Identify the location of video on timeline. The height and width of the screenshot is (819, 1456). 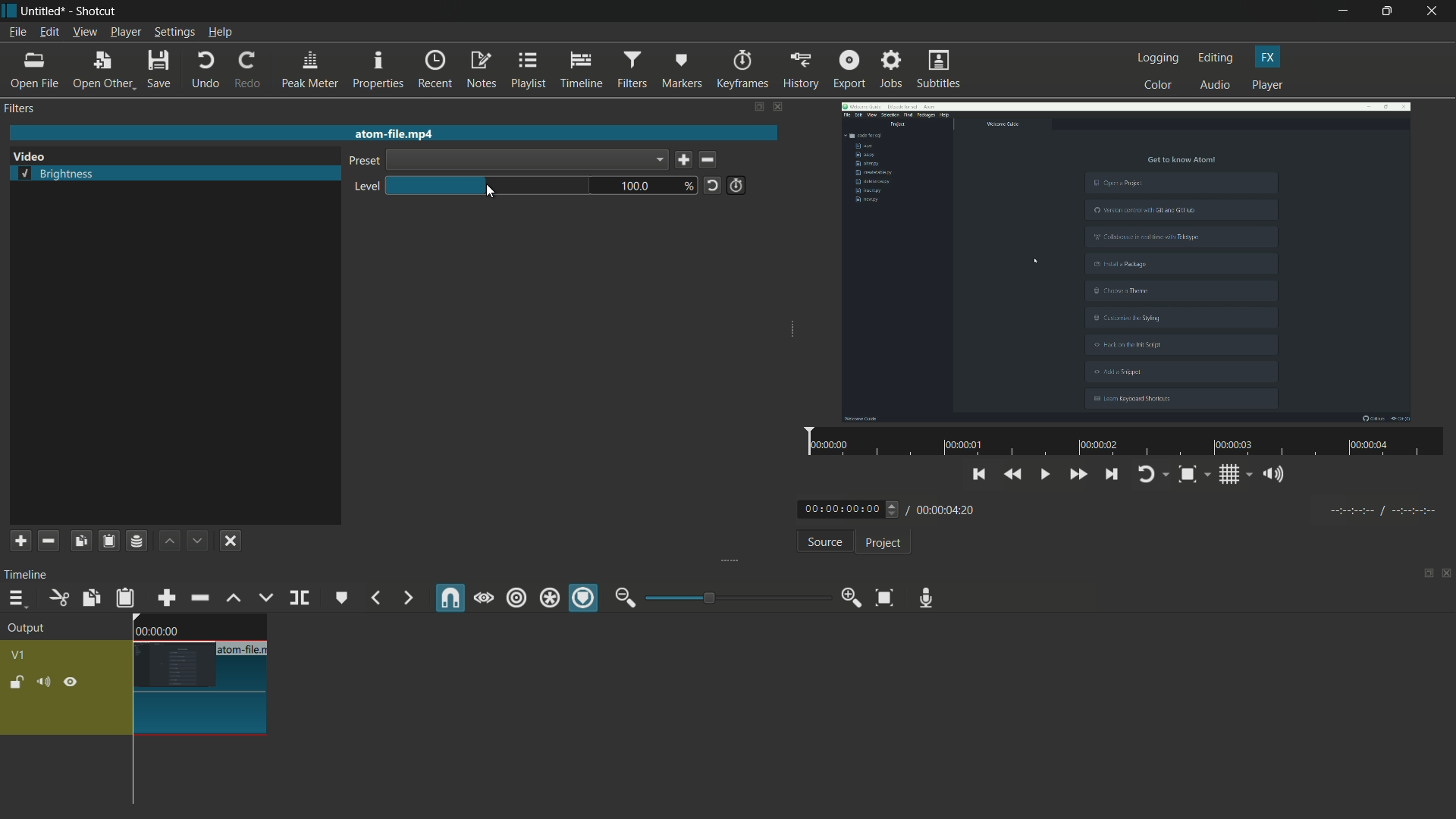
(198, 677).